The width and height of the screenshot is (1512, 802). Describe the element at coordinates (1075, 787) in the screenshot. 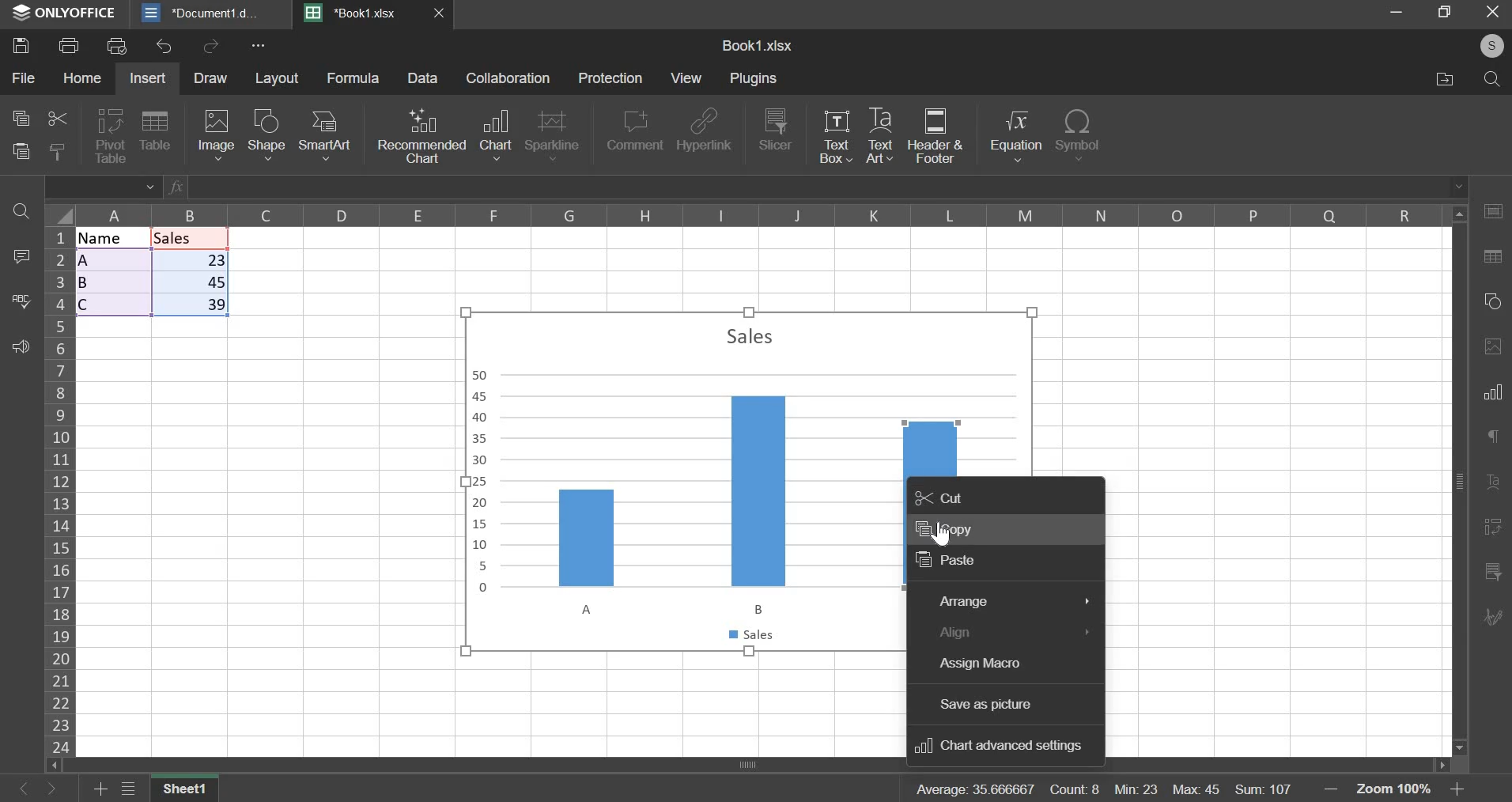

I see `count` at that location.